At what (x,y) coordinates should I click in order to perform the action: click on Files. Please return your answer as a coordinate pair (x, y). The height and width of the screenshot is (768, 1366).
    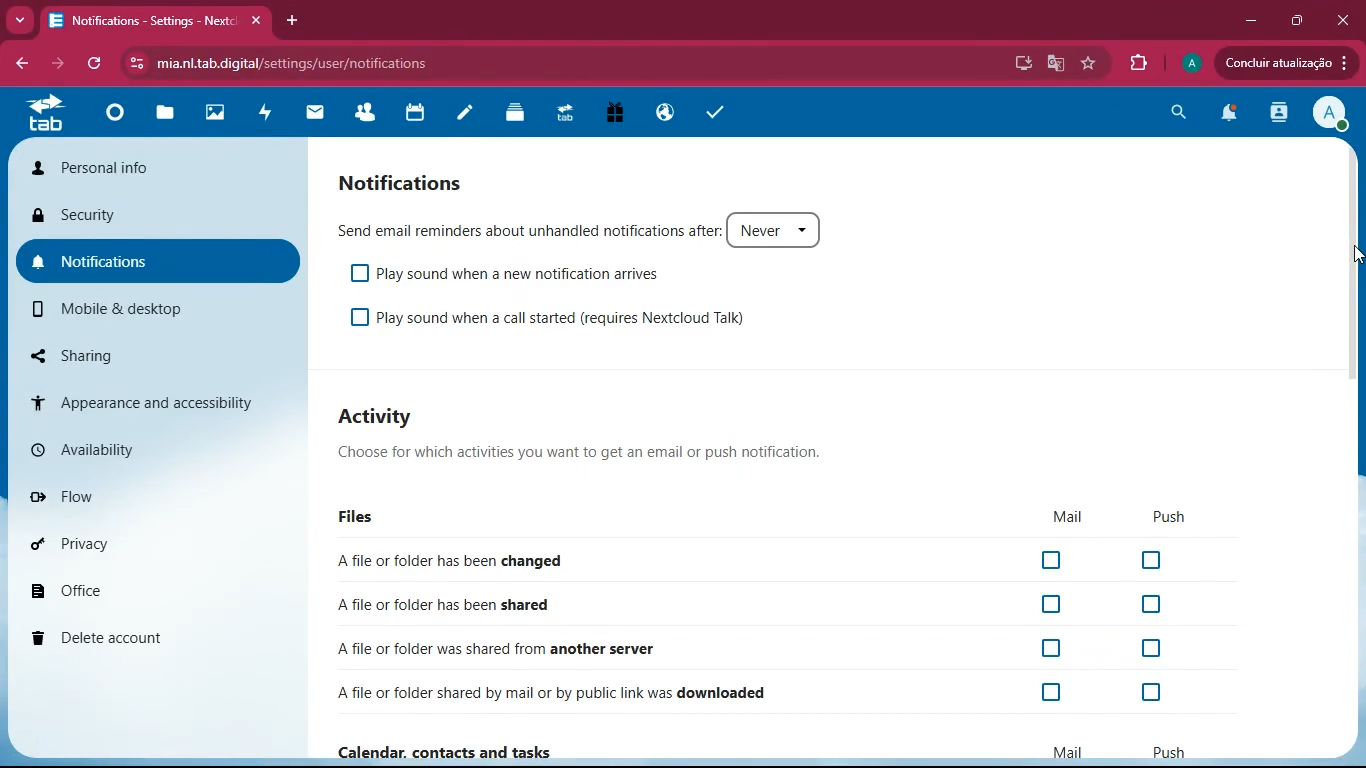
    Looking at the image, I should click on (772, 519).